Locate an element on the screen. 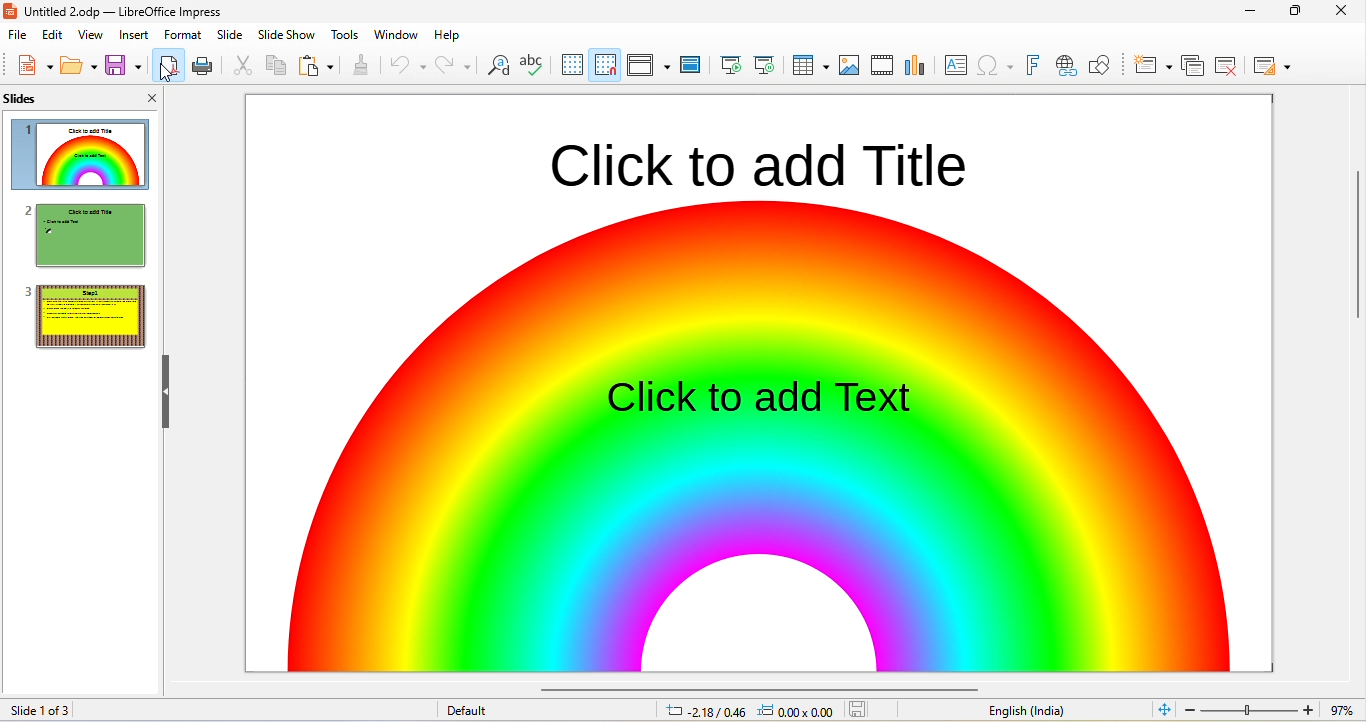 This screenshot has height=722, width=1366. print is located at coordinates (204, 67).